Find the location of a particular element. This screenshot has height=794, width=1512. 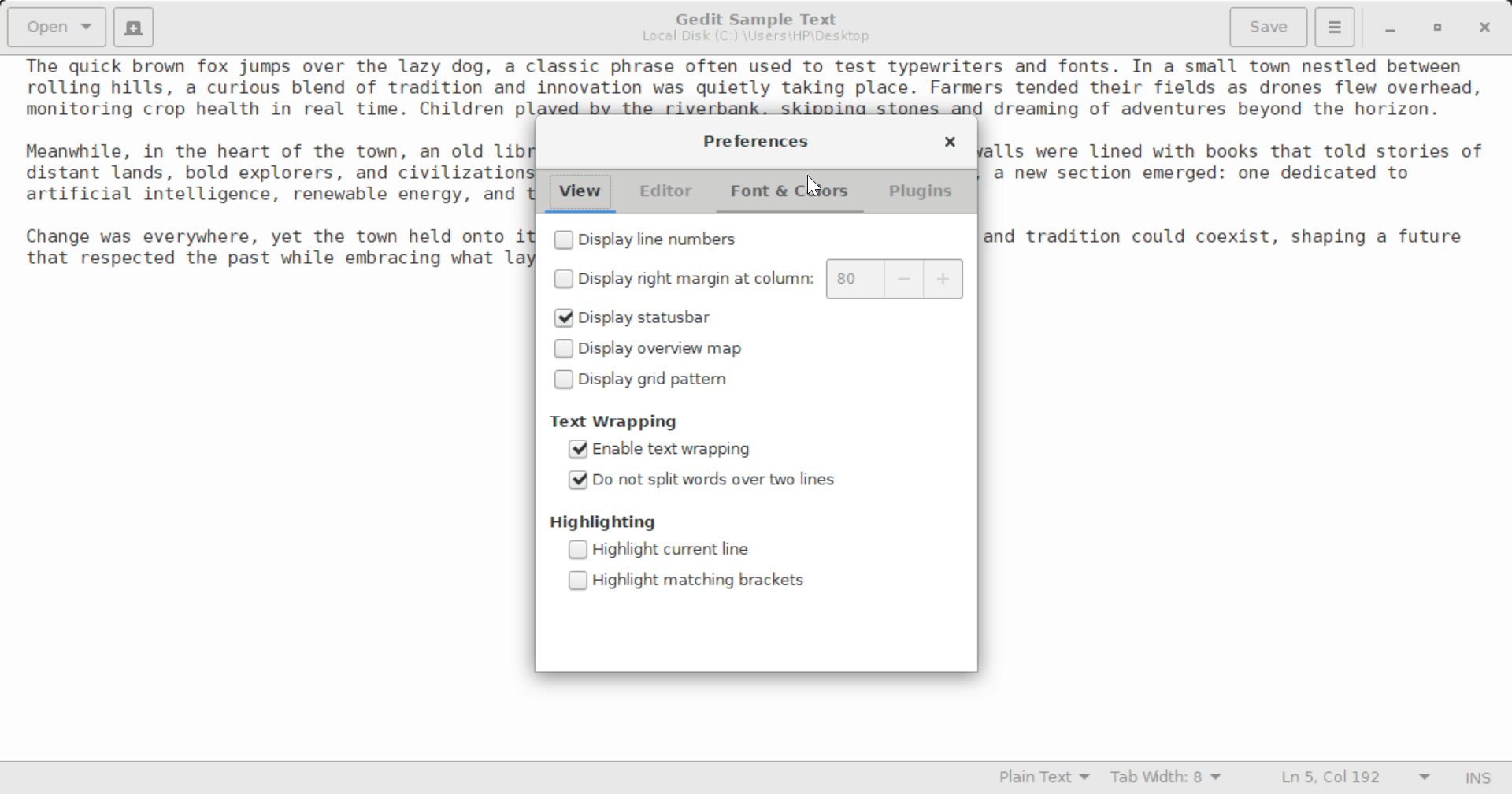

Editor Tab is located at coordinates (668, 191).